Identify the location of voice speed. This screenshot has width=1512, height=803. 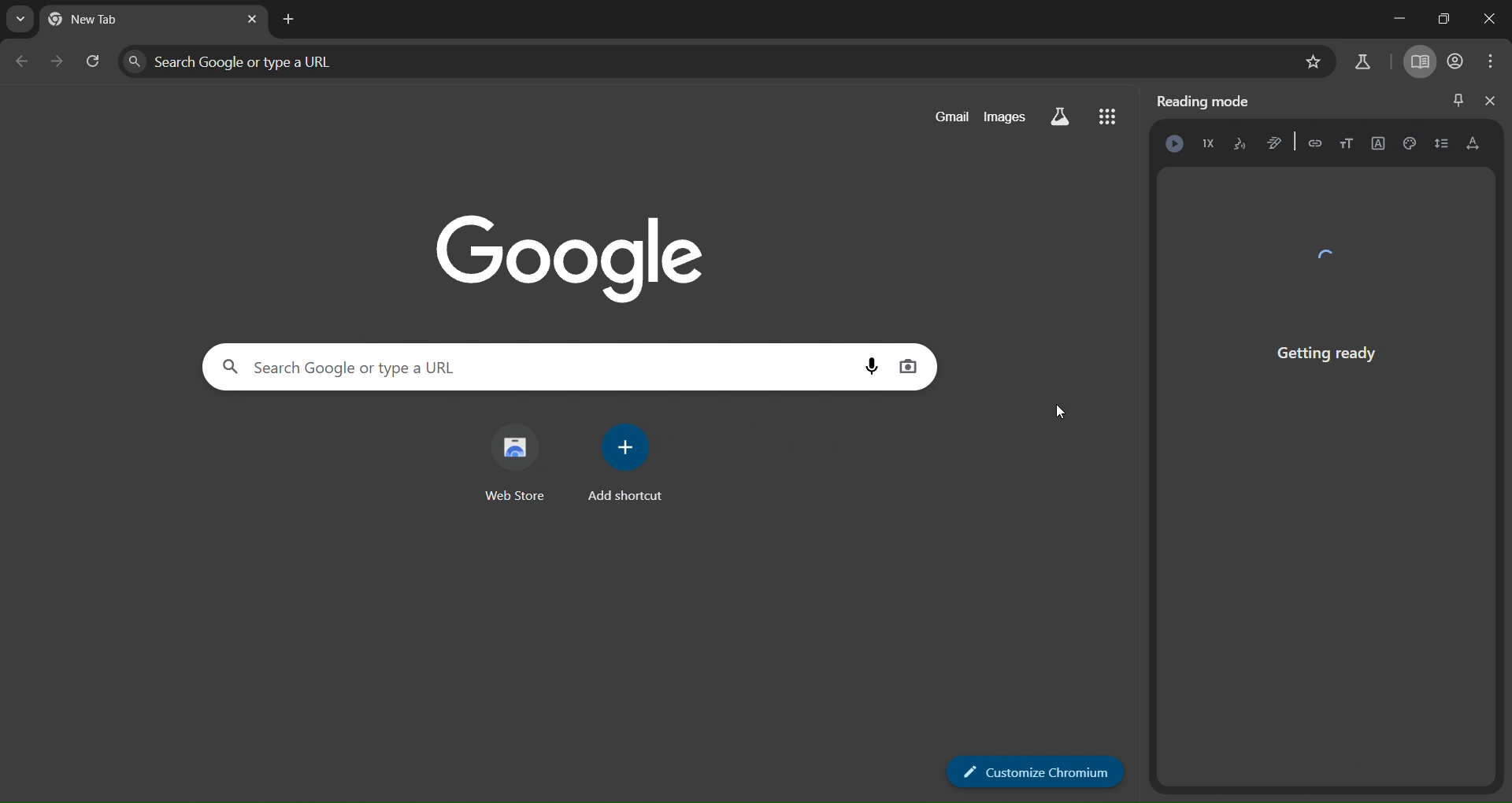
(1210, 145).